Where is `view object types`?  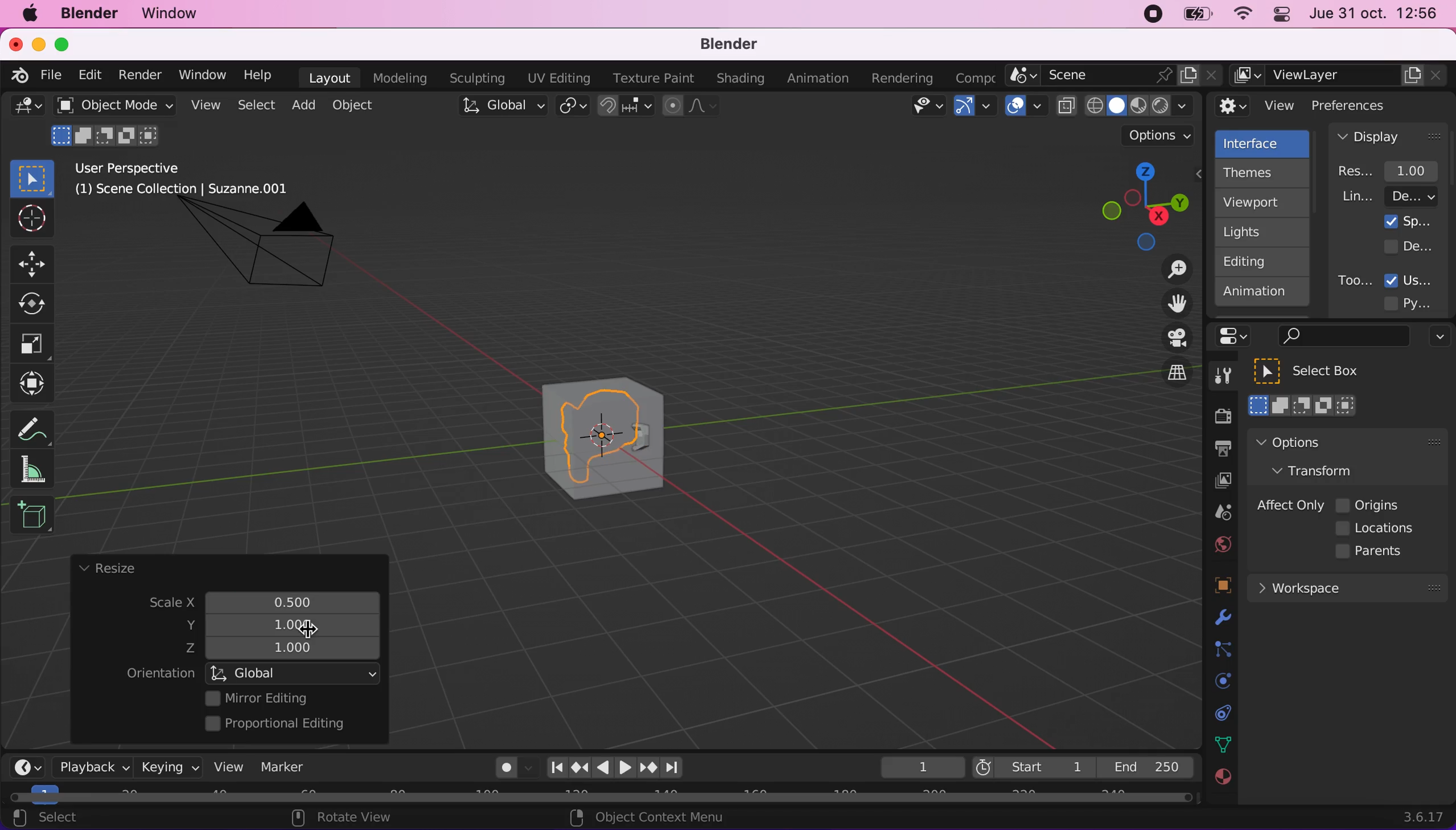 view object types is located at coordinates (925, 108).